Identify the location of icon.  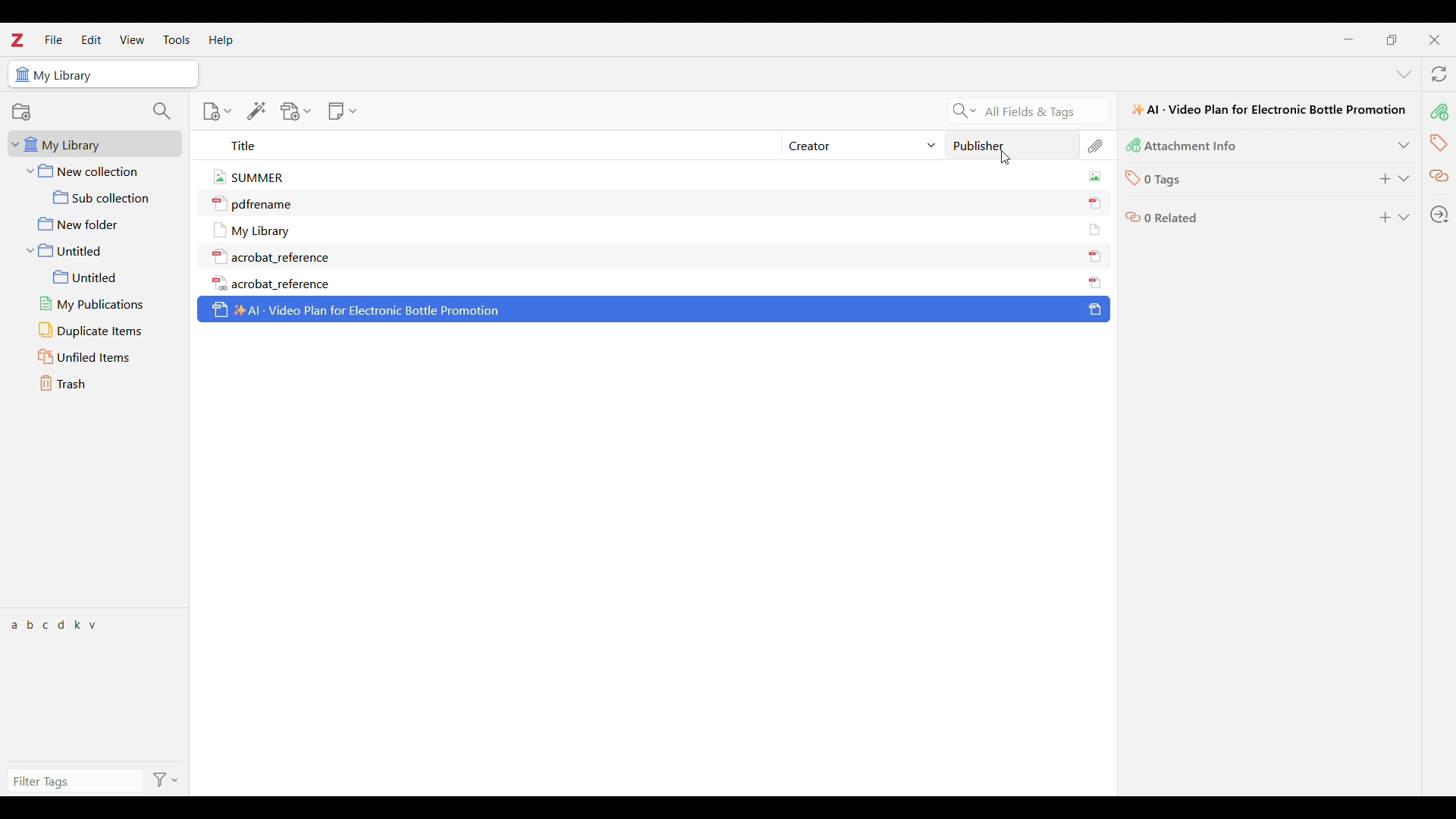
(1094, 231).